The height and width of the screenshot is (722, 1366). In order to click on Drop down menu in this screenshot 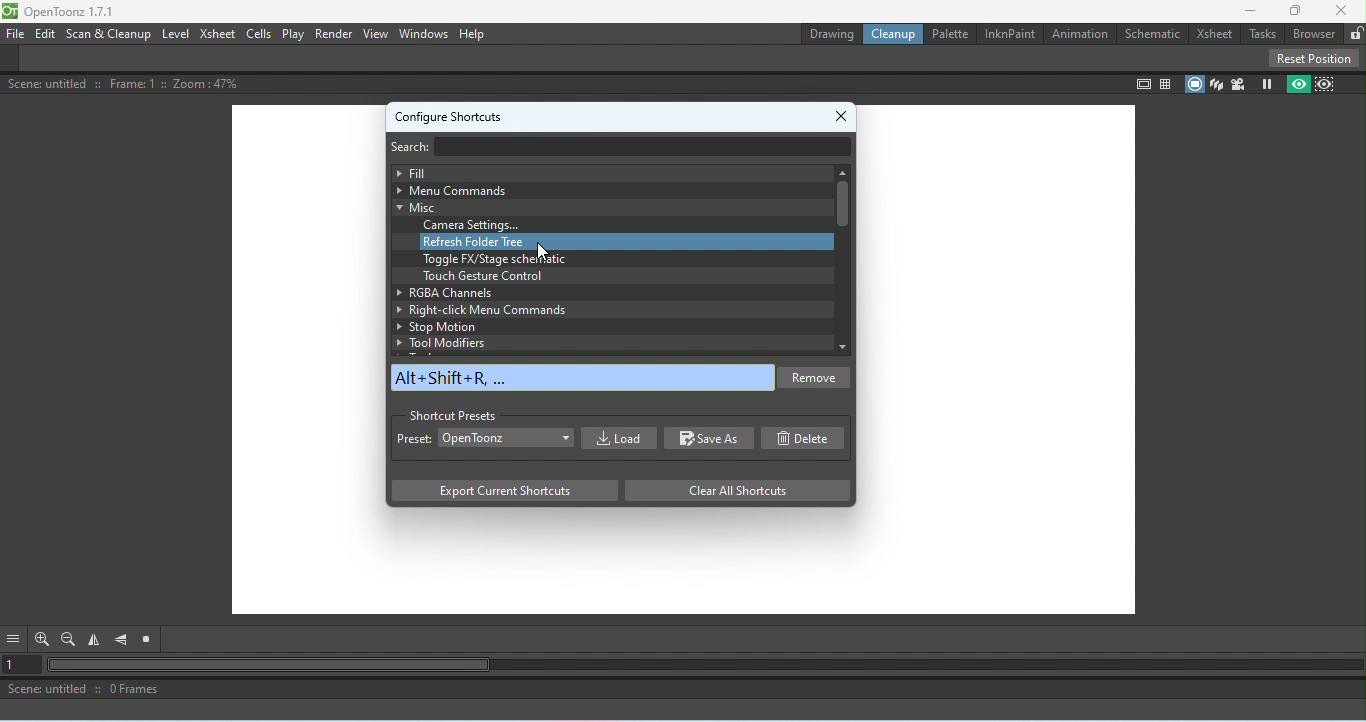, I will do `click(507, 436)`.